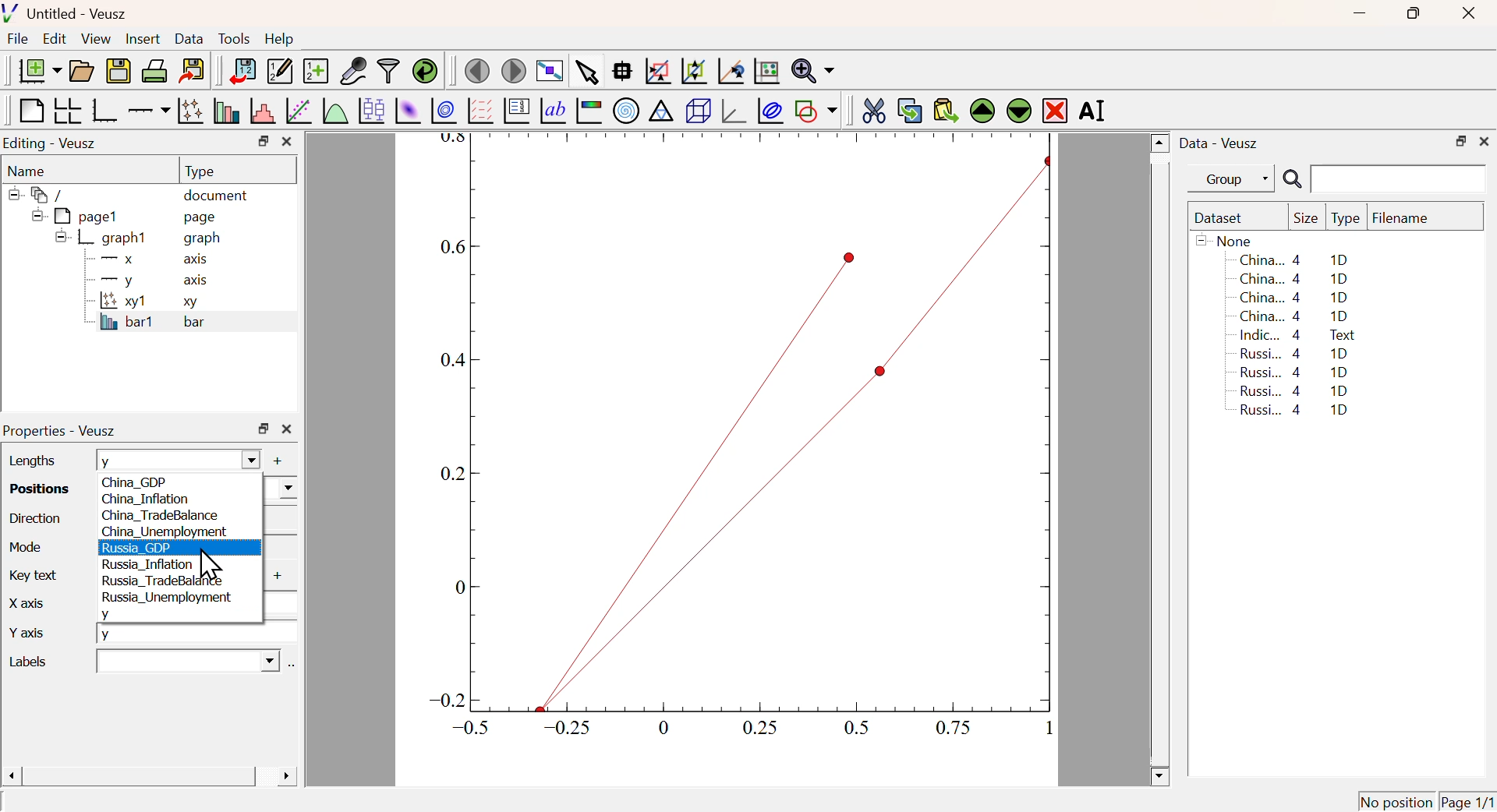 The width and height of the screenshot is (1497, 812). I want to click on Dataset, so click(1222, 219).